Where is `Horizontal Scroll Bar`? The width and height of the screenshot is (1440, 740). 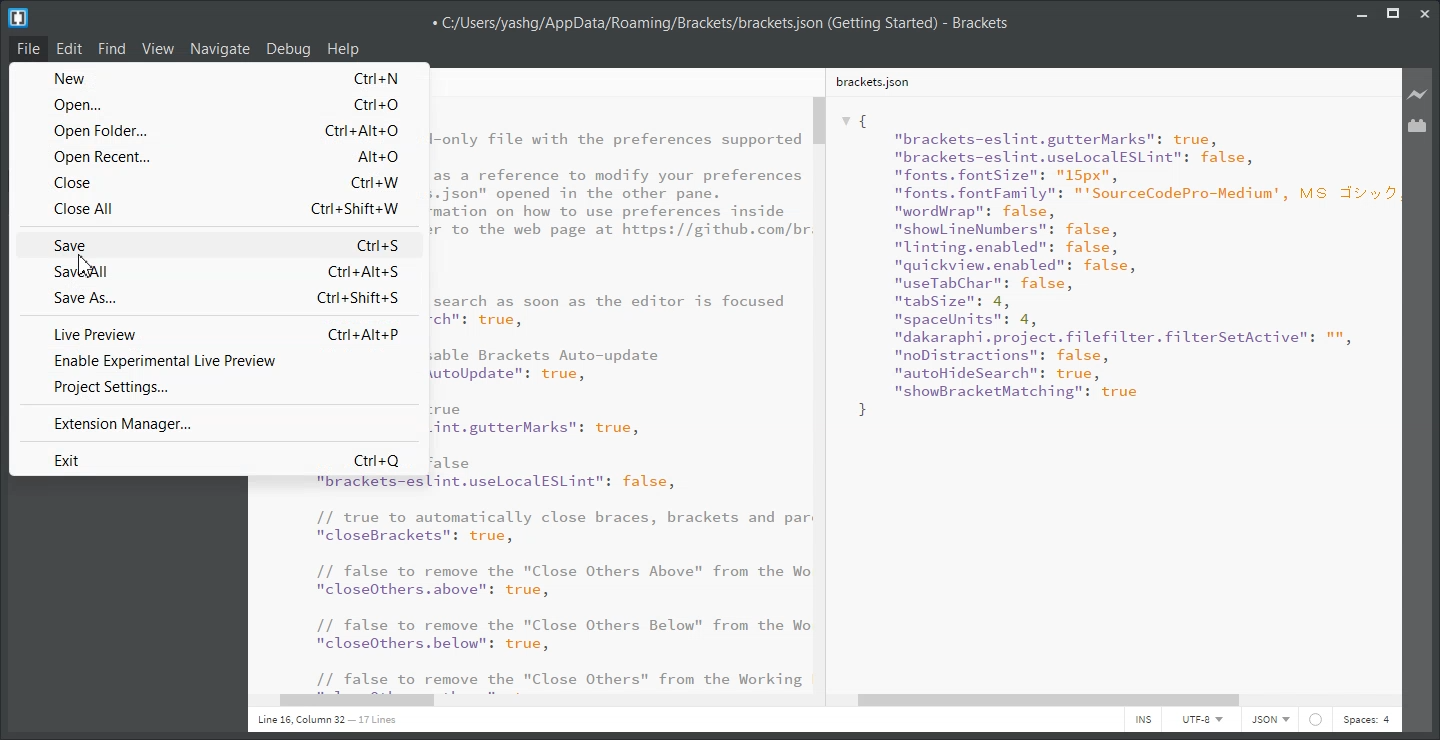
Horizontal Scroll Bar is located at coordinates (530, 701).